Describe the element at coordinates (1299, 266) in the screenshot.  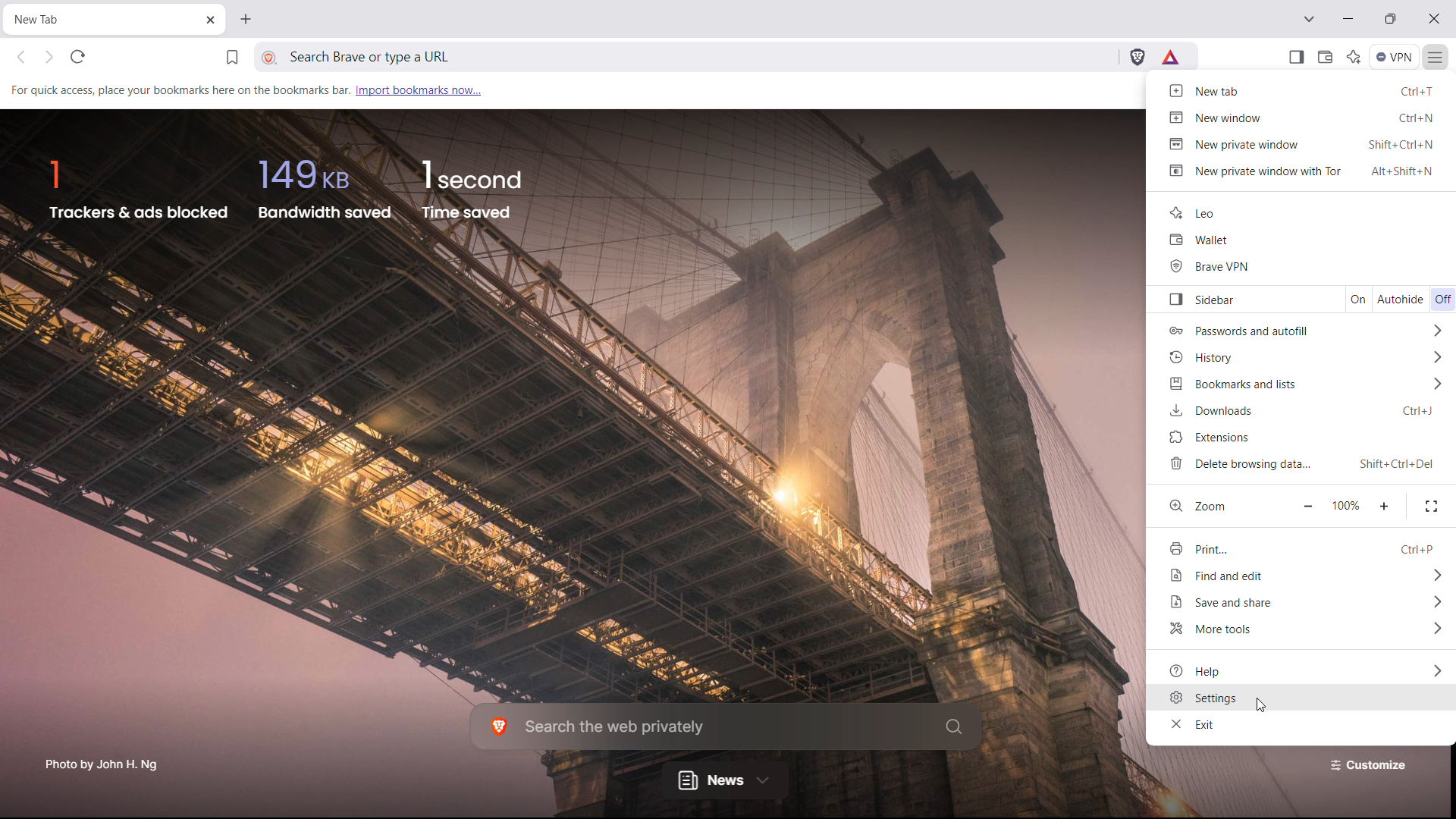
I see `brave vpn` at that location.